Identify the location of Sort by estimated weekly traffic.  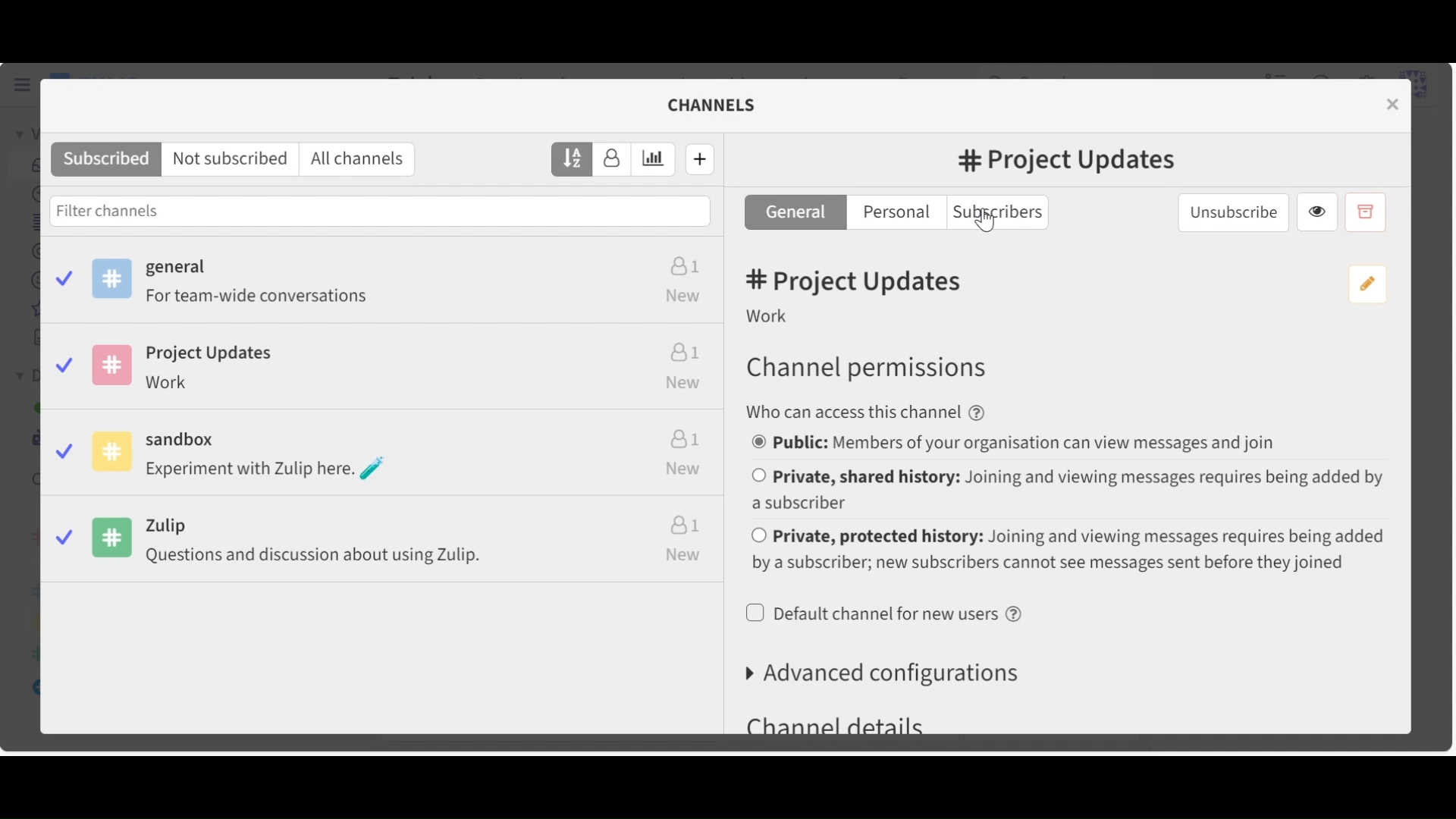
(657, 159).